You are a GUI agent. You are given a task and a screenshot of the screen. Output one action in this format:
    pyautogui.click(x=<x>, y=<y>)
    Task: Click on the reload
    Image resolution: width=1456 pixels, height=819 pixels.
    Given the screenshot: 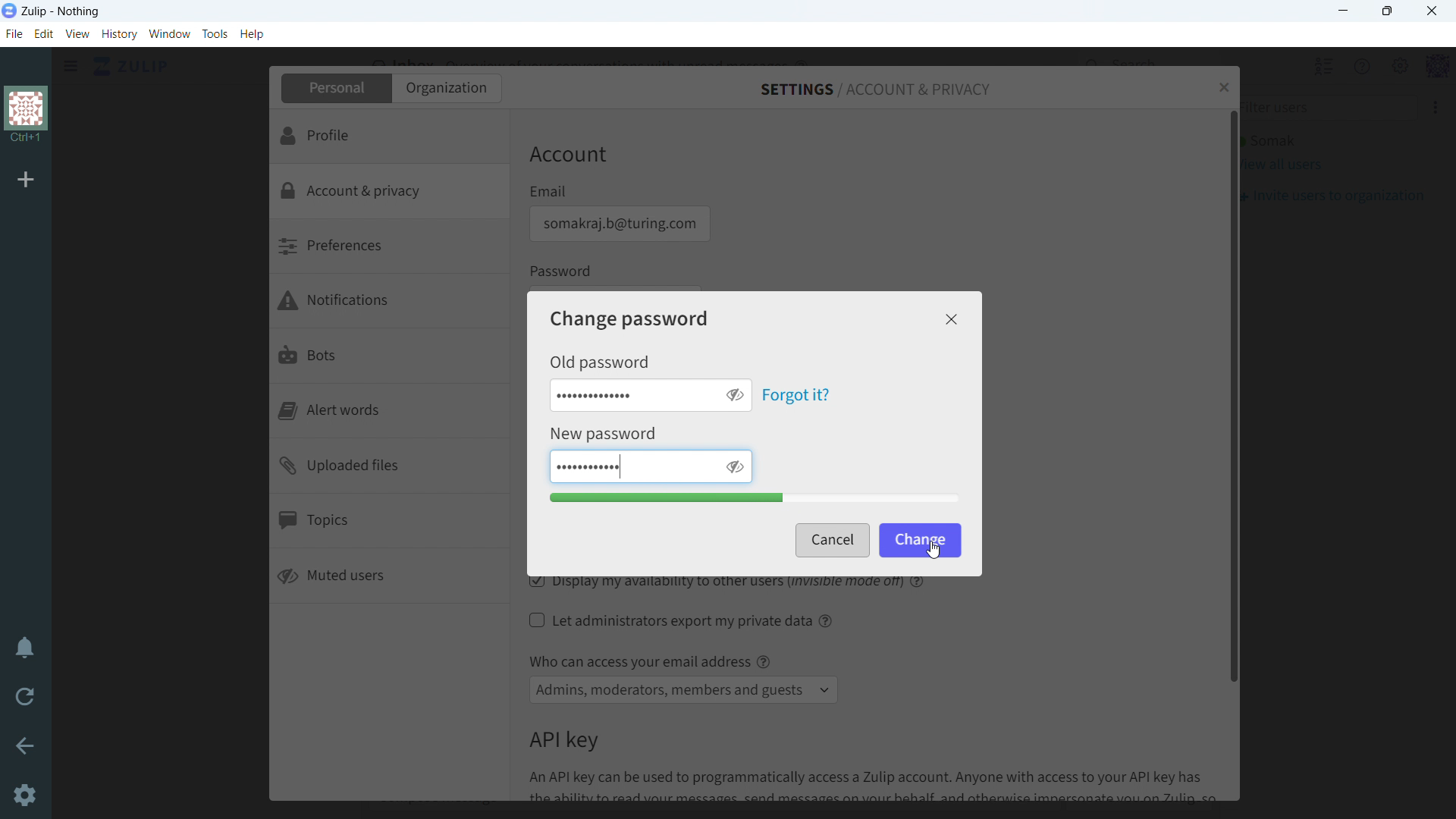 What is the action you would take?
    pyautogui.click(x=24, y=695)
    